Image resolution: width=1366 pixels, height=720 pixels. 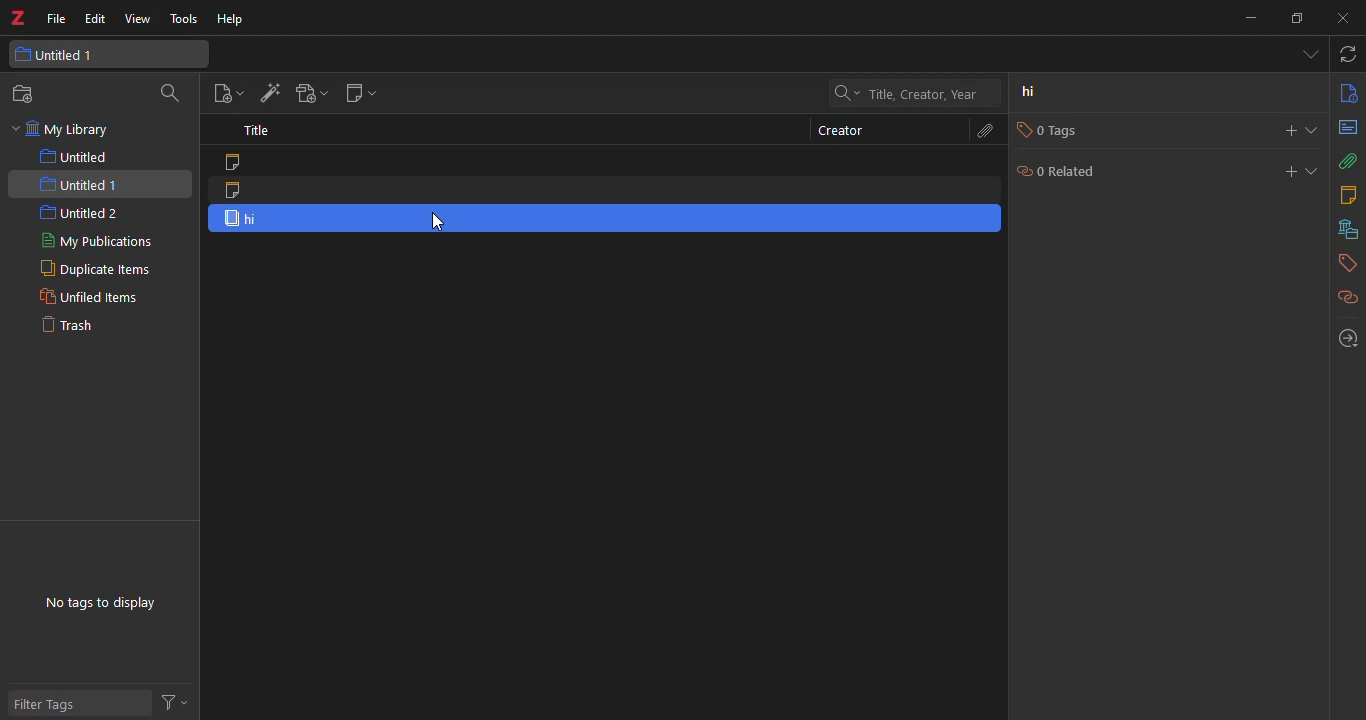 What do you see at coordinates (605, 218) in the screenshot?
I see `item` at bounding box center [605, 218].